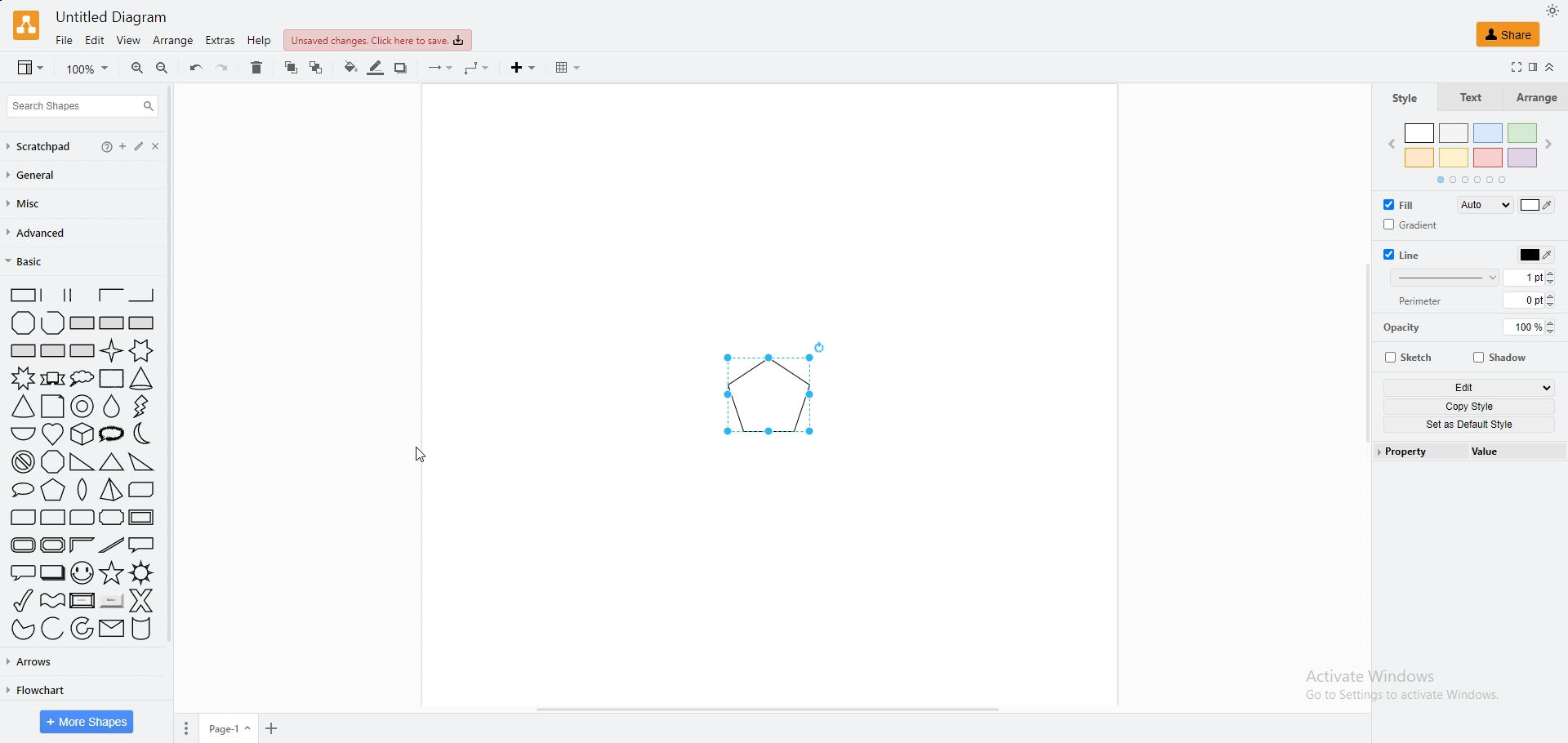 This screenshot has height=743, width=1568. Describe the element at coordinates (52, 323) in the screenshot. I see `polyline` at that location.